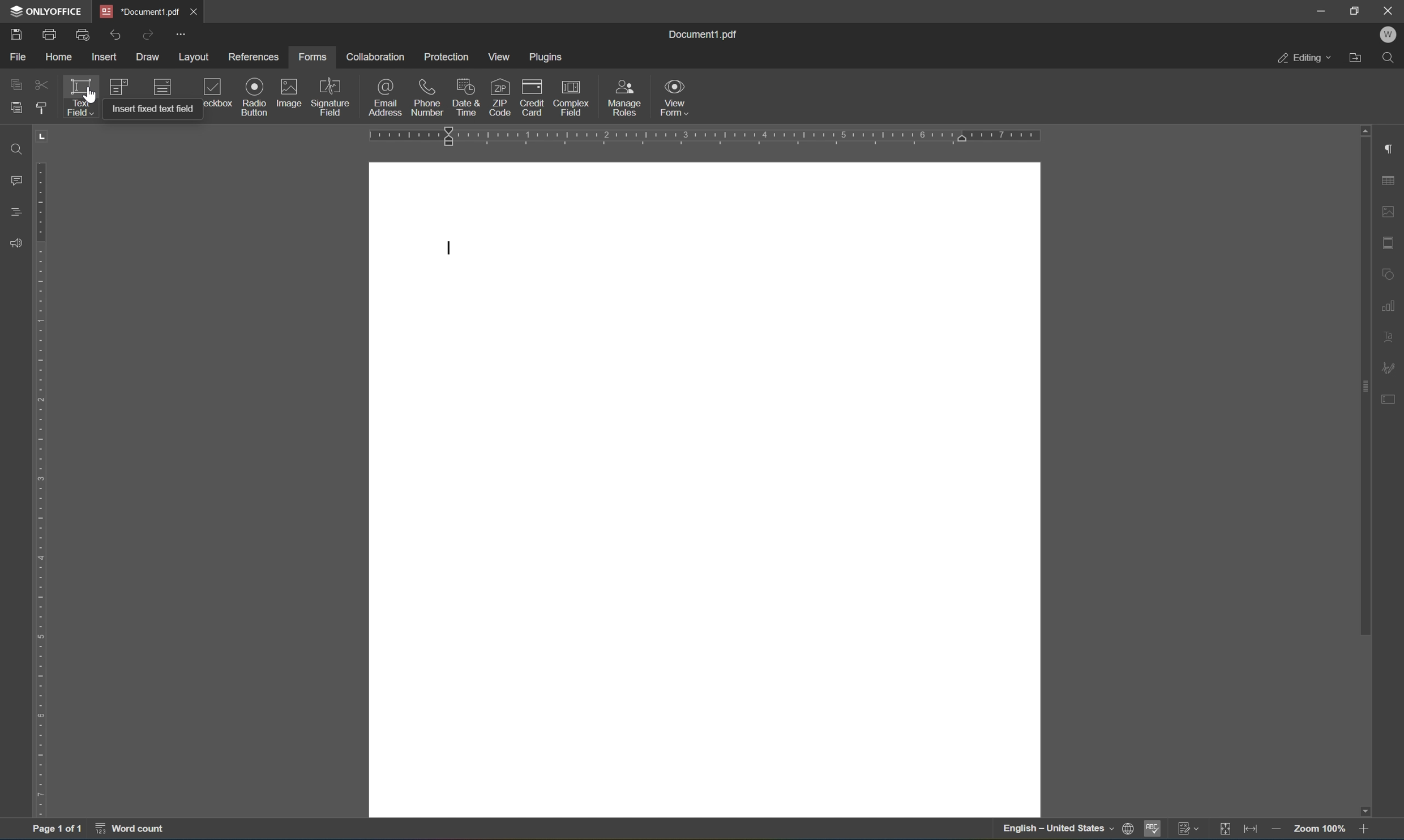  I want to click on fit to width, so click(1251, 832).